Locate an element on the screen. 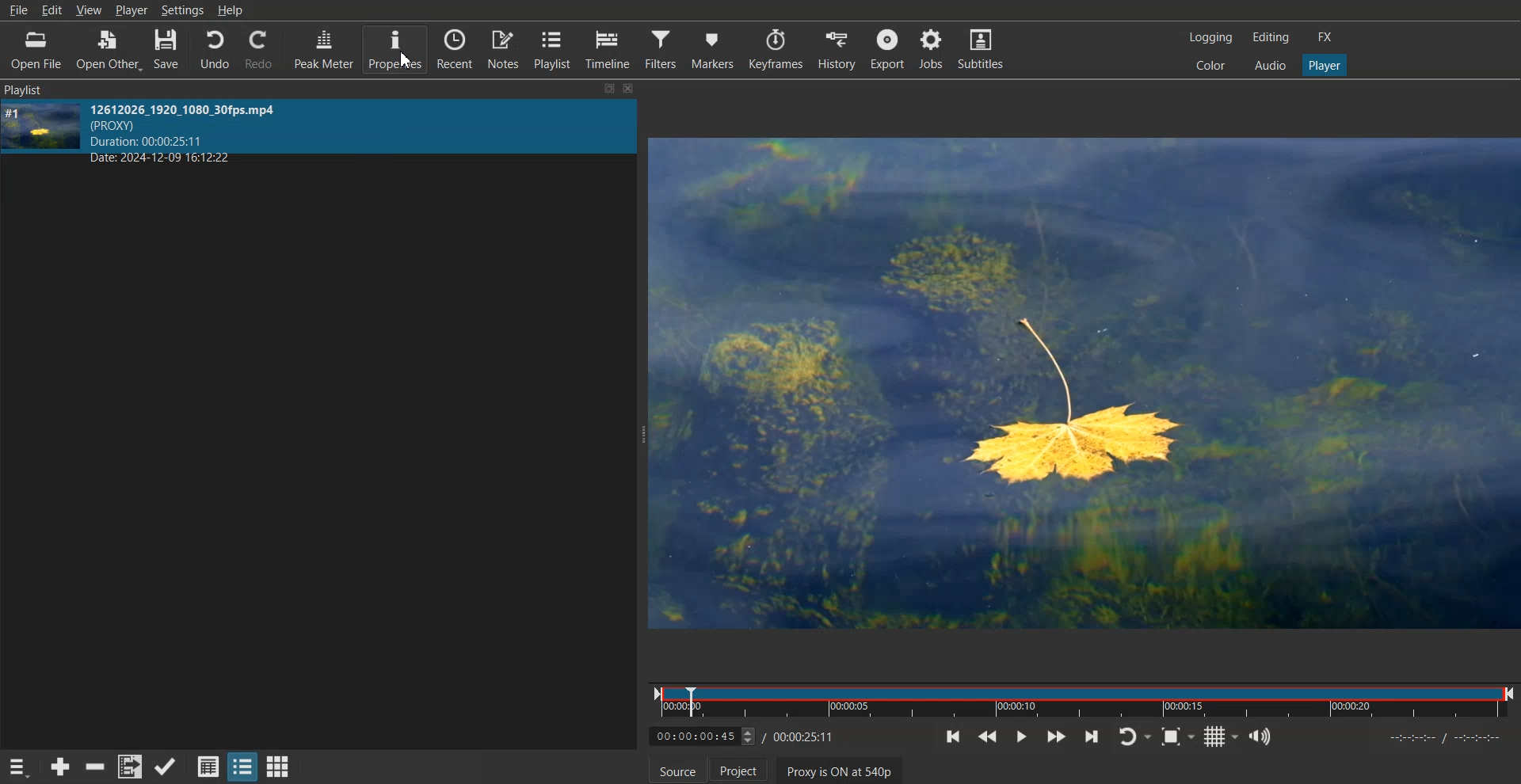 The width and height of the screenshot is (1521, 784). Play is located at coordinates (1020, 736).